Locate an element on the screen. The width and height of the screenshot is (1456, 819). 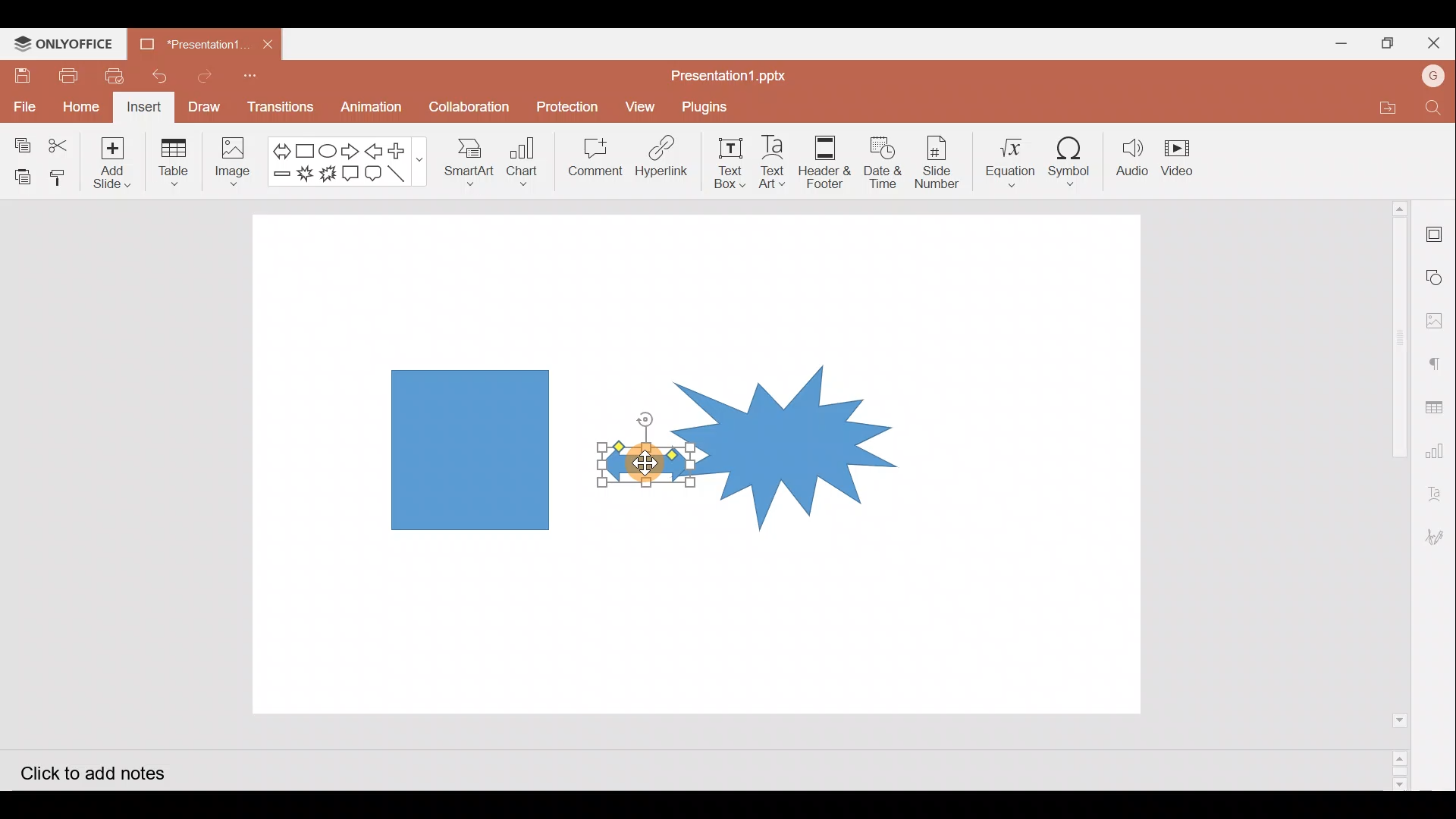
Table is located at coordinates (172, 165).